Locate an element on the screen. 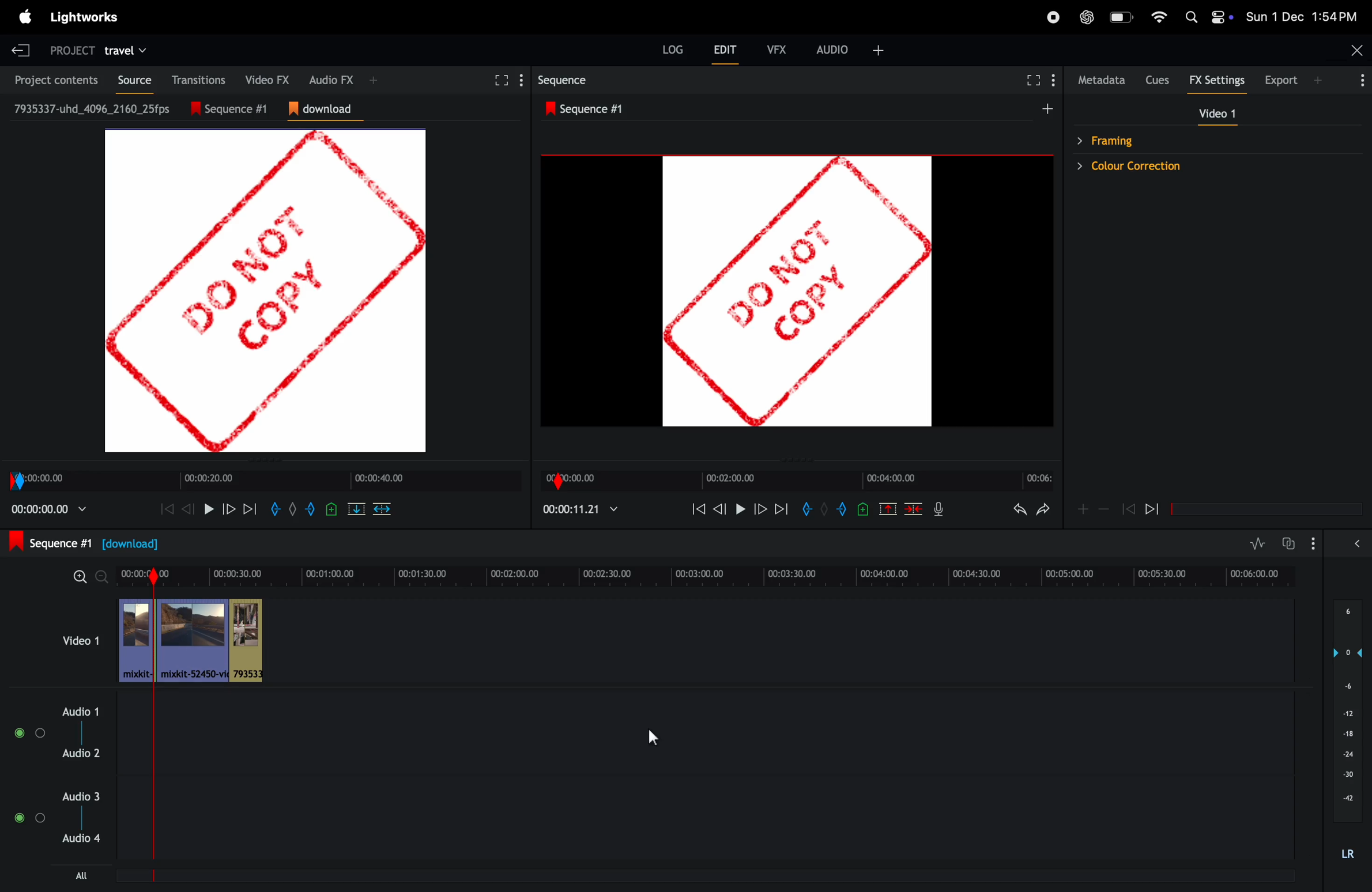 The width and height of the screenshot is (1372, 892). Watermark is located at coordinates (265, 291).